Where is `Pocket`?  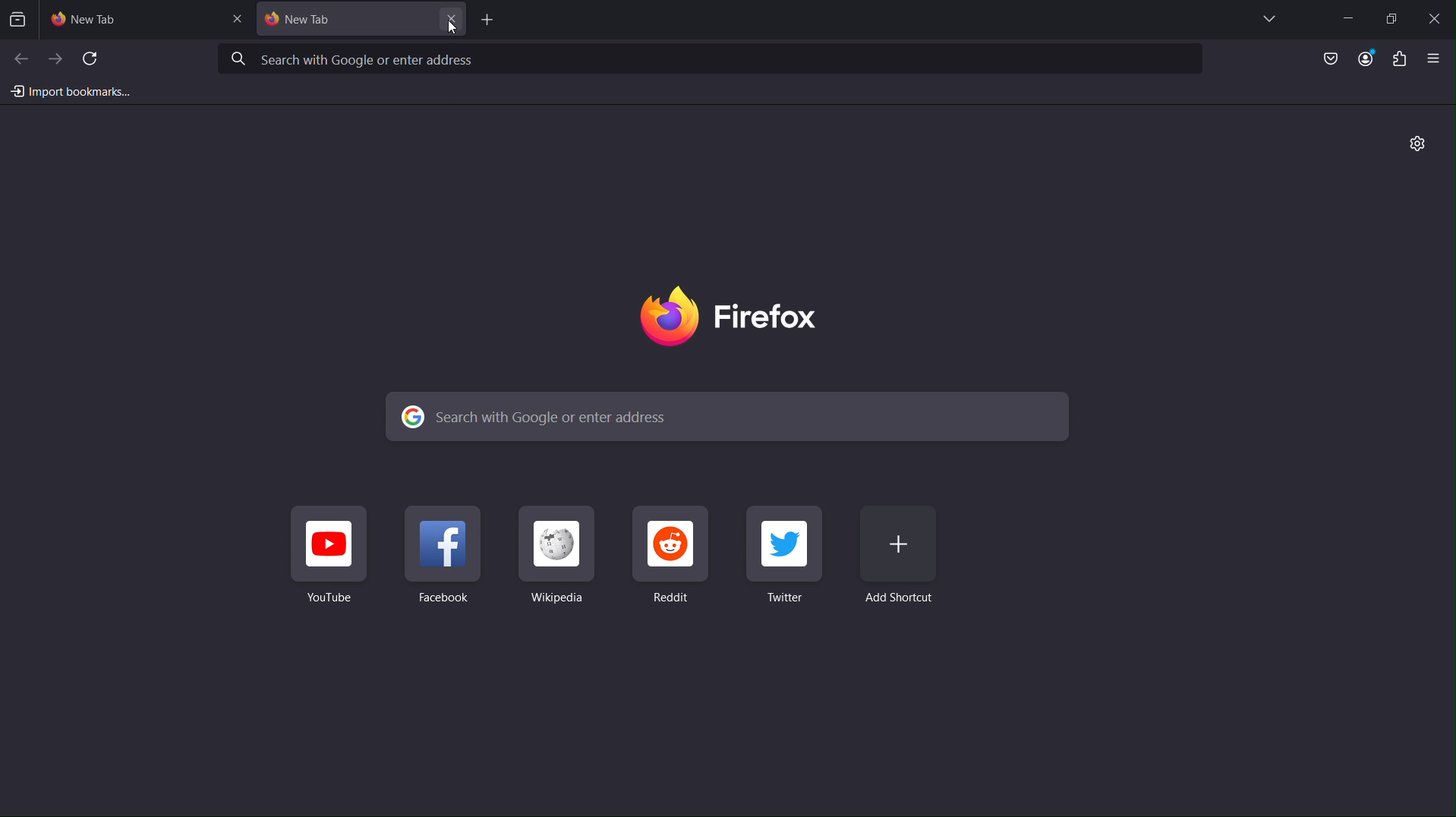 Pocket is located at coordinates (1320, 59).